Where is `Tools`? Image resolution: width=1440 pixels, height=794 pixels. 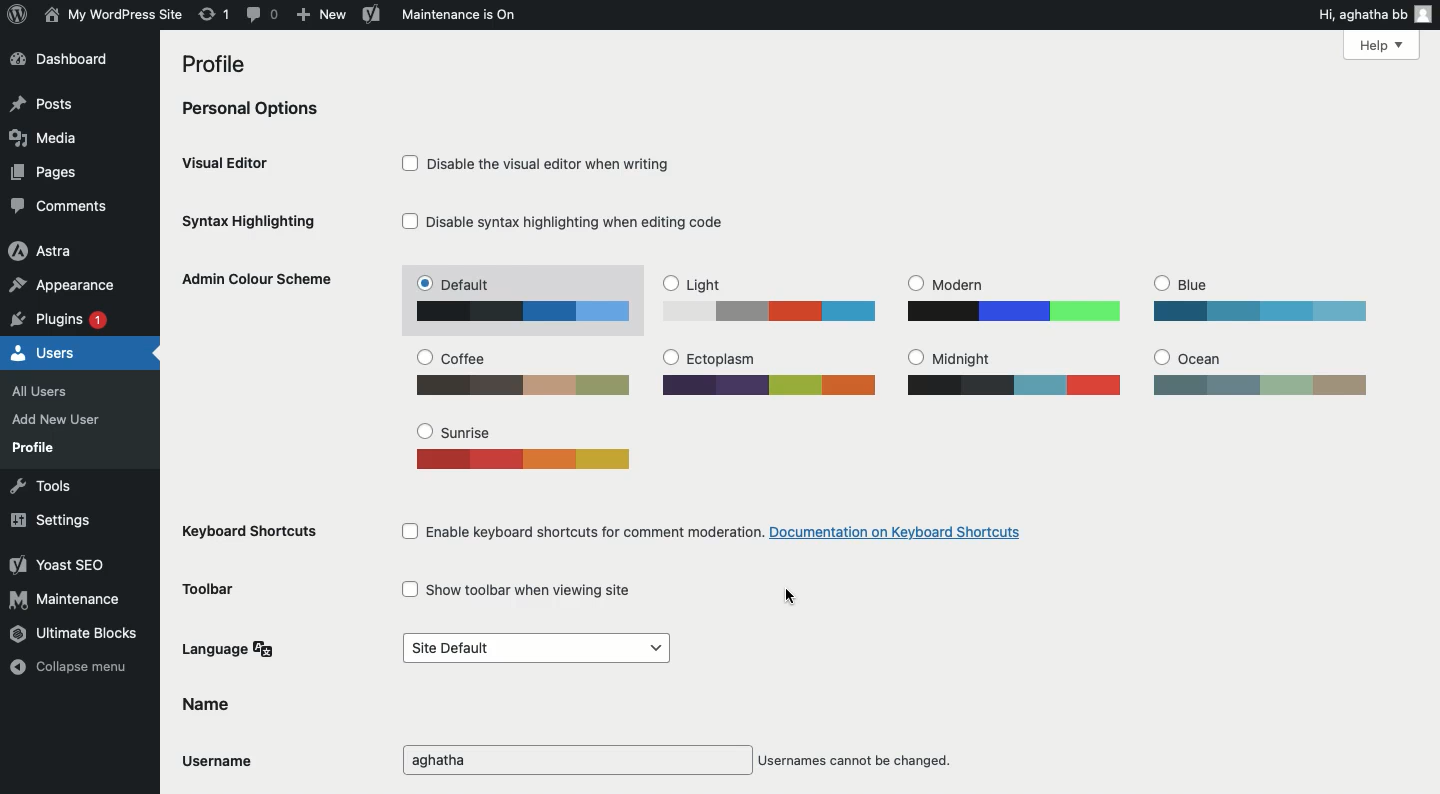
Tools is located at coordinates (43, 483).